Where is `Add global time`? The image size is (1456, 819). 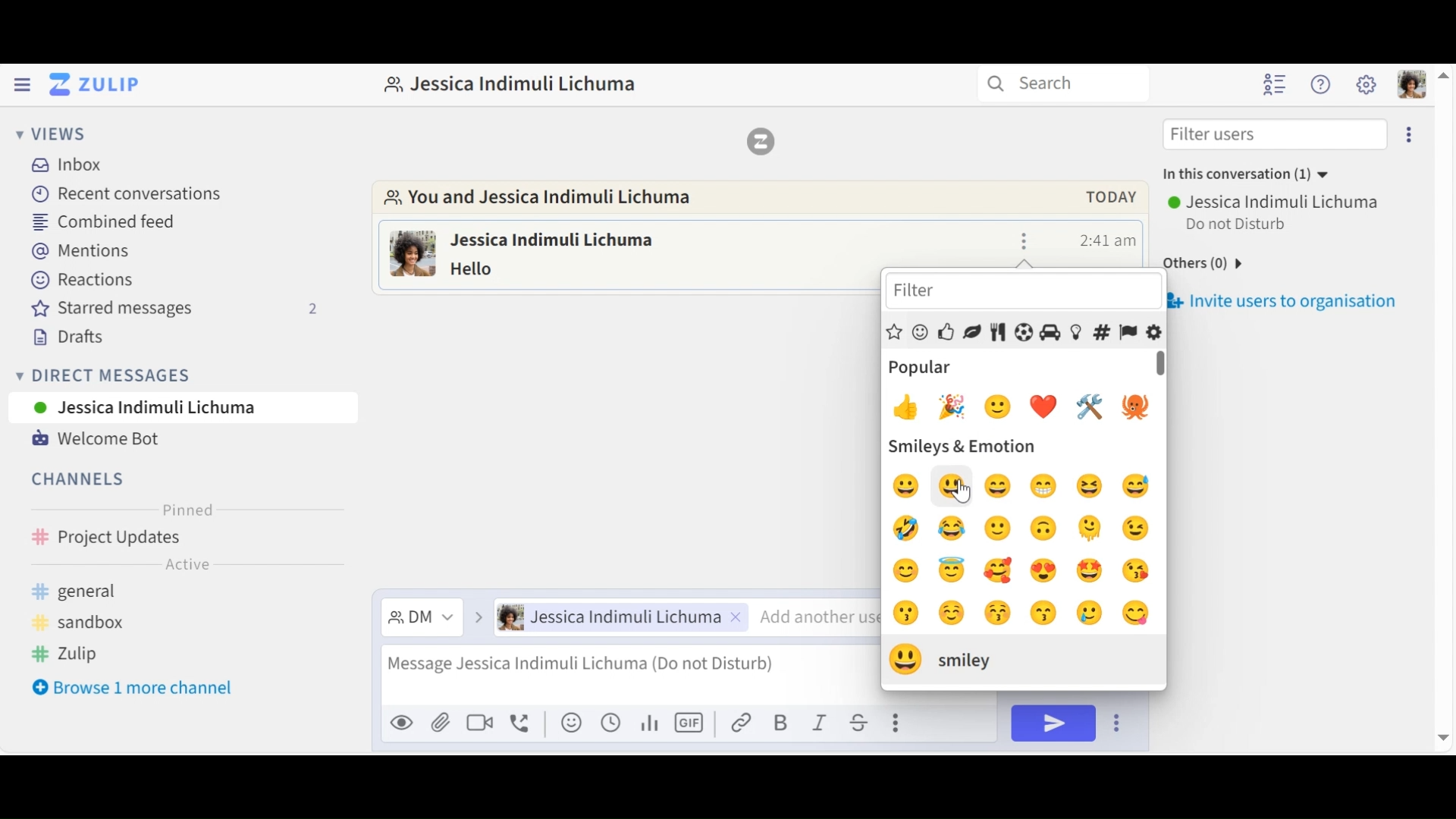
Add global time is located at coordinates (610, 722).